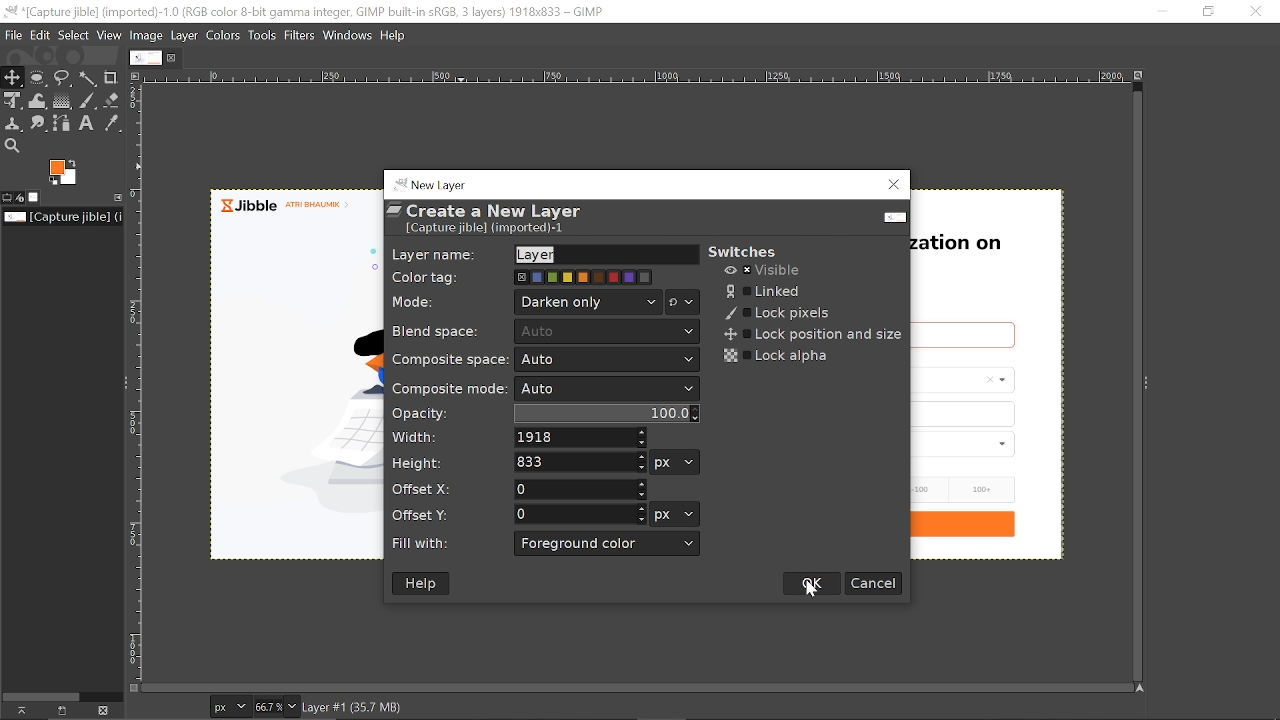 The image size is (1280, 720). What do you see at coordinates (186, 34) in the screenshot?
I see `Layer` at bounding box center [186, 34].